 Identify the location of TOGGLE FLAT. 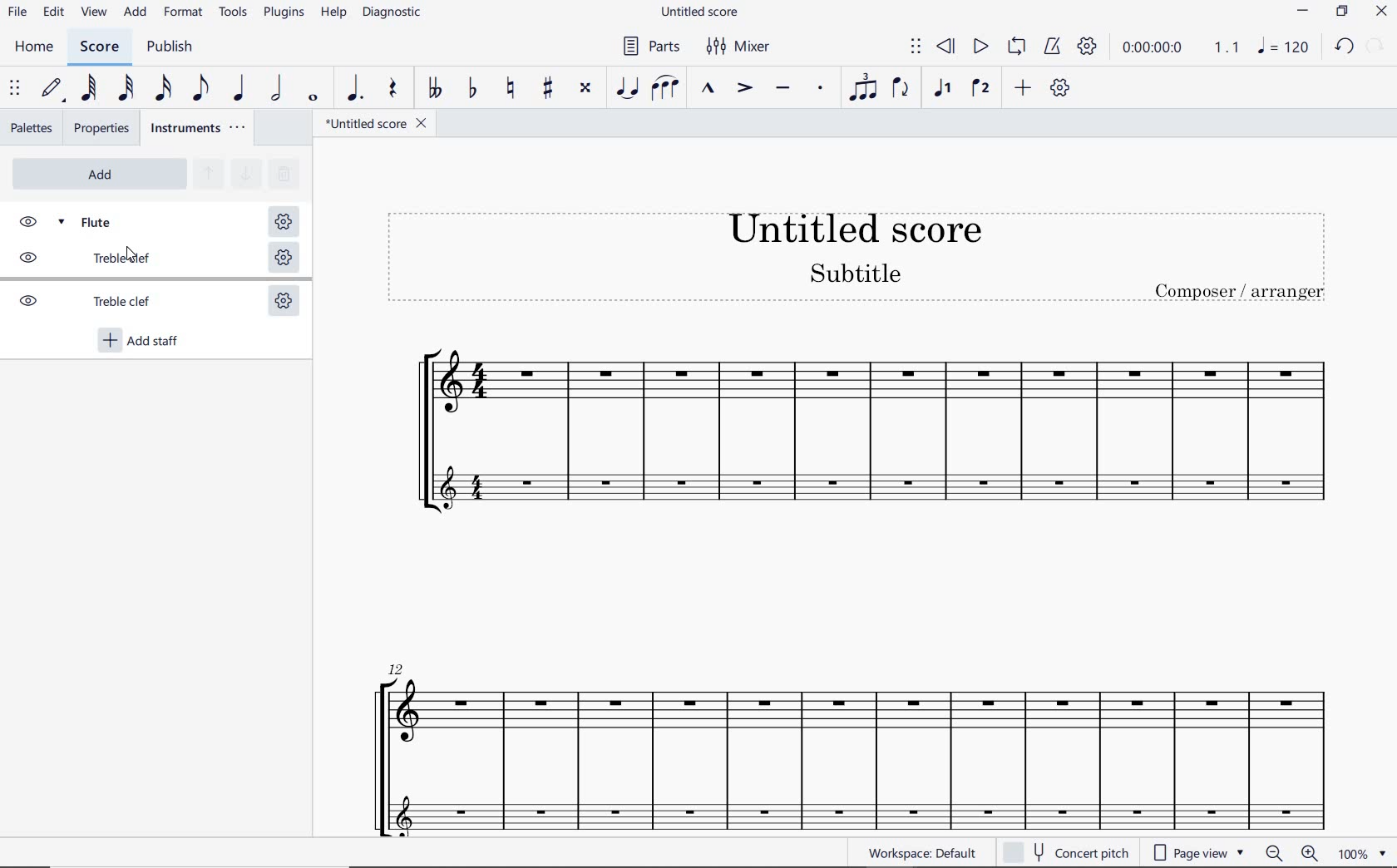
(473, 89).